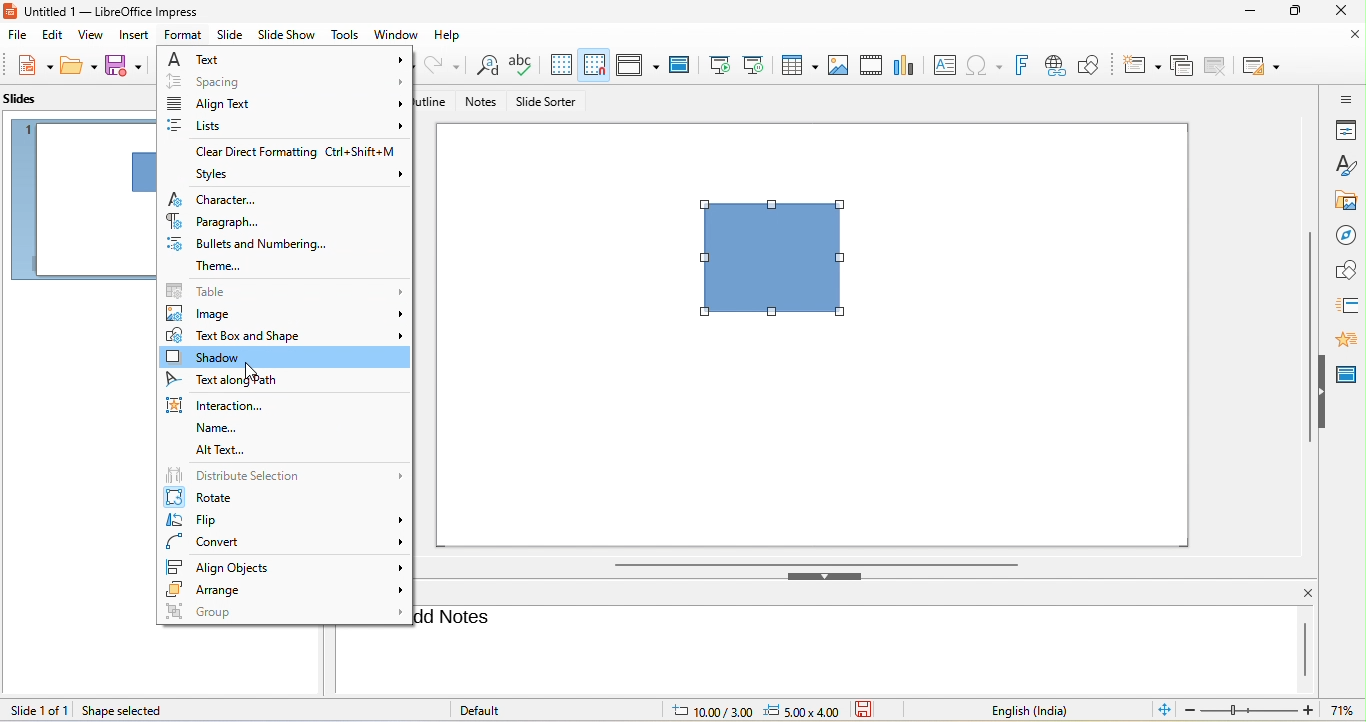 The width and height of the screenshot is (1366, 722). What do you see at coordinates (1018, 710) in the screenshot?
I see `English (India)` at bounding box center [1018, 710].